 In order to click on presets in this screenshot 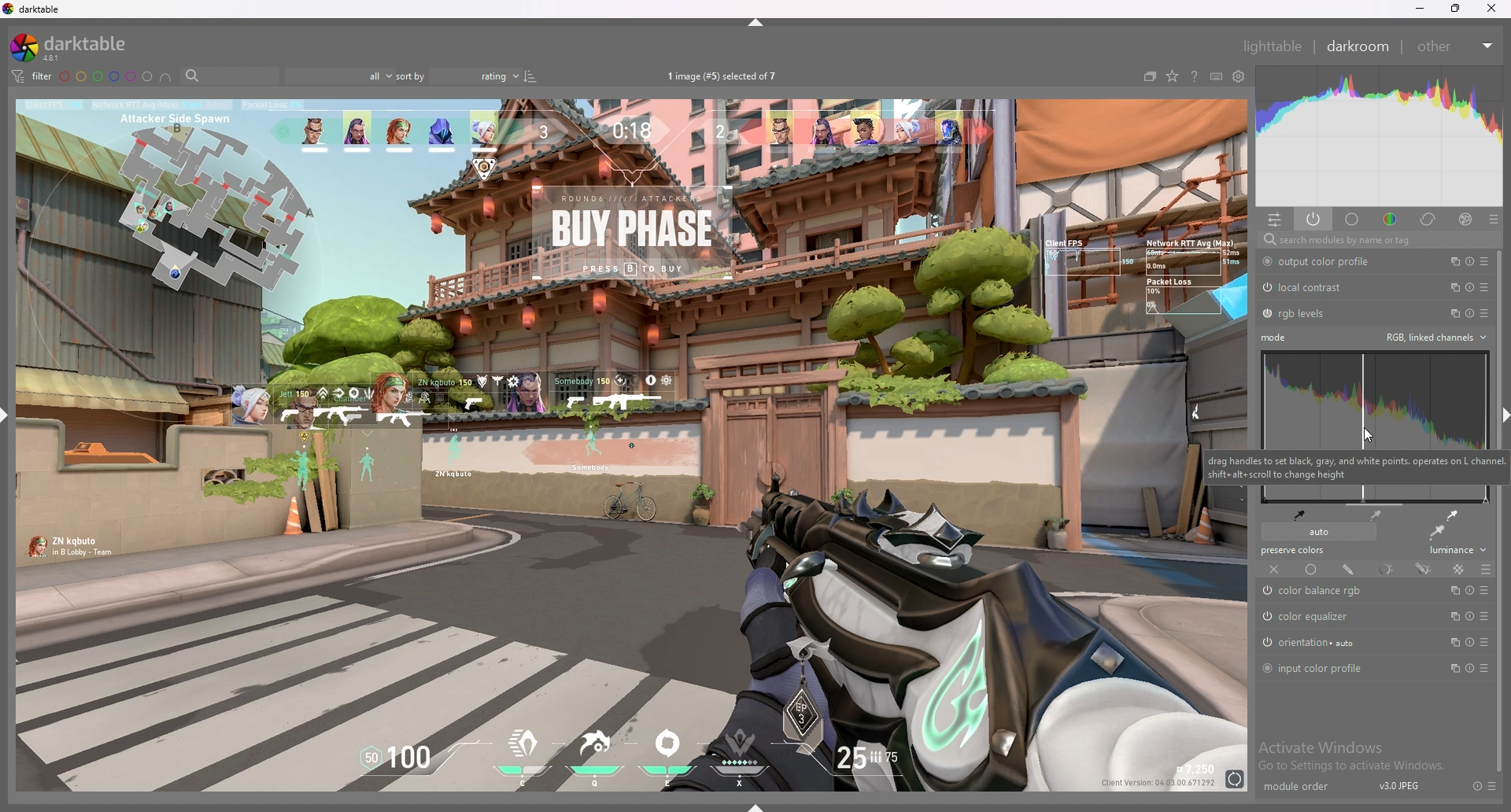, I will do `click(1487, 617)`.